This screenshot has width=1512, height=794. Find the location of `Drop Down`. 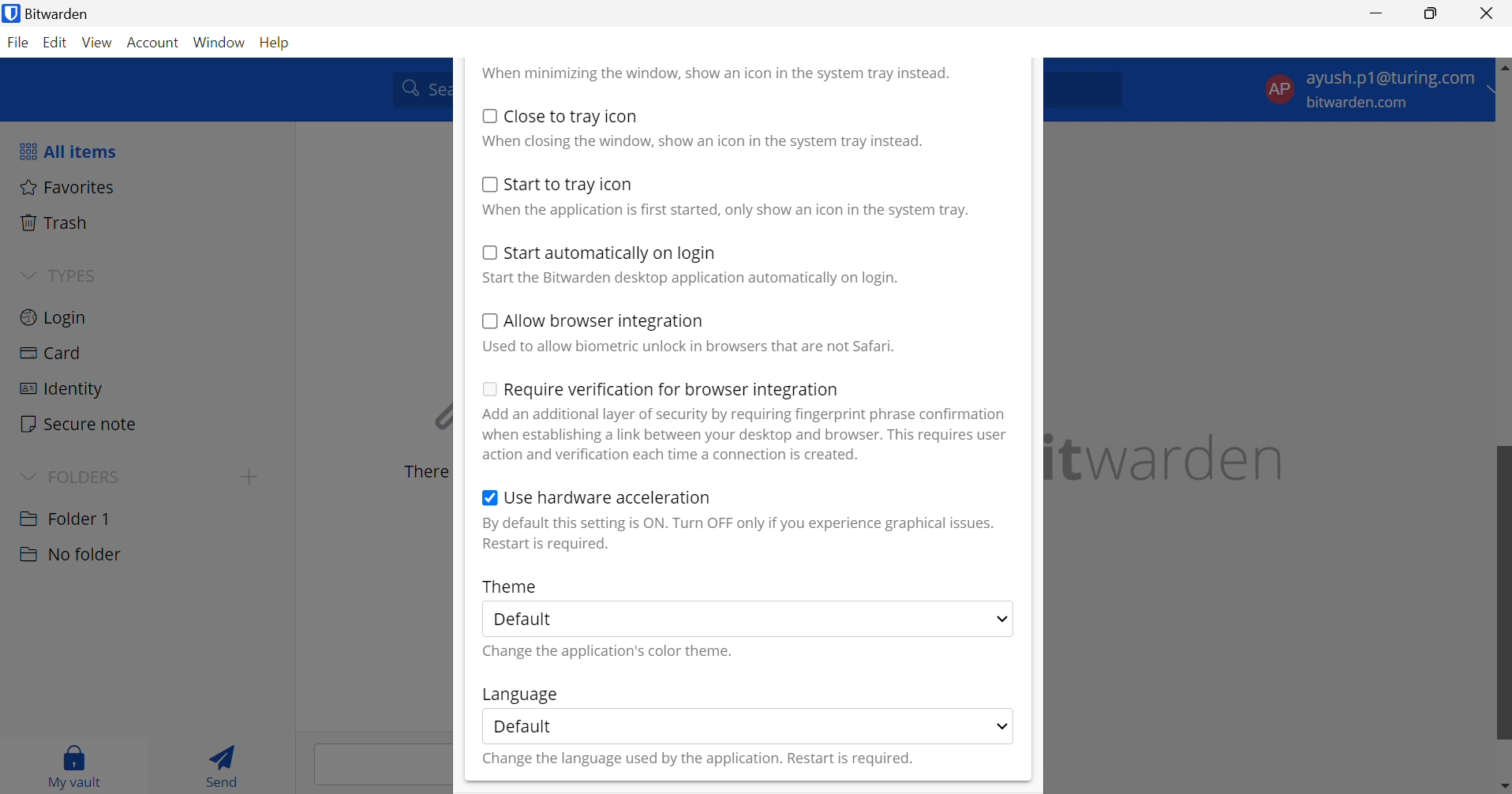

Drop Down is located at coordinates (27, 474).